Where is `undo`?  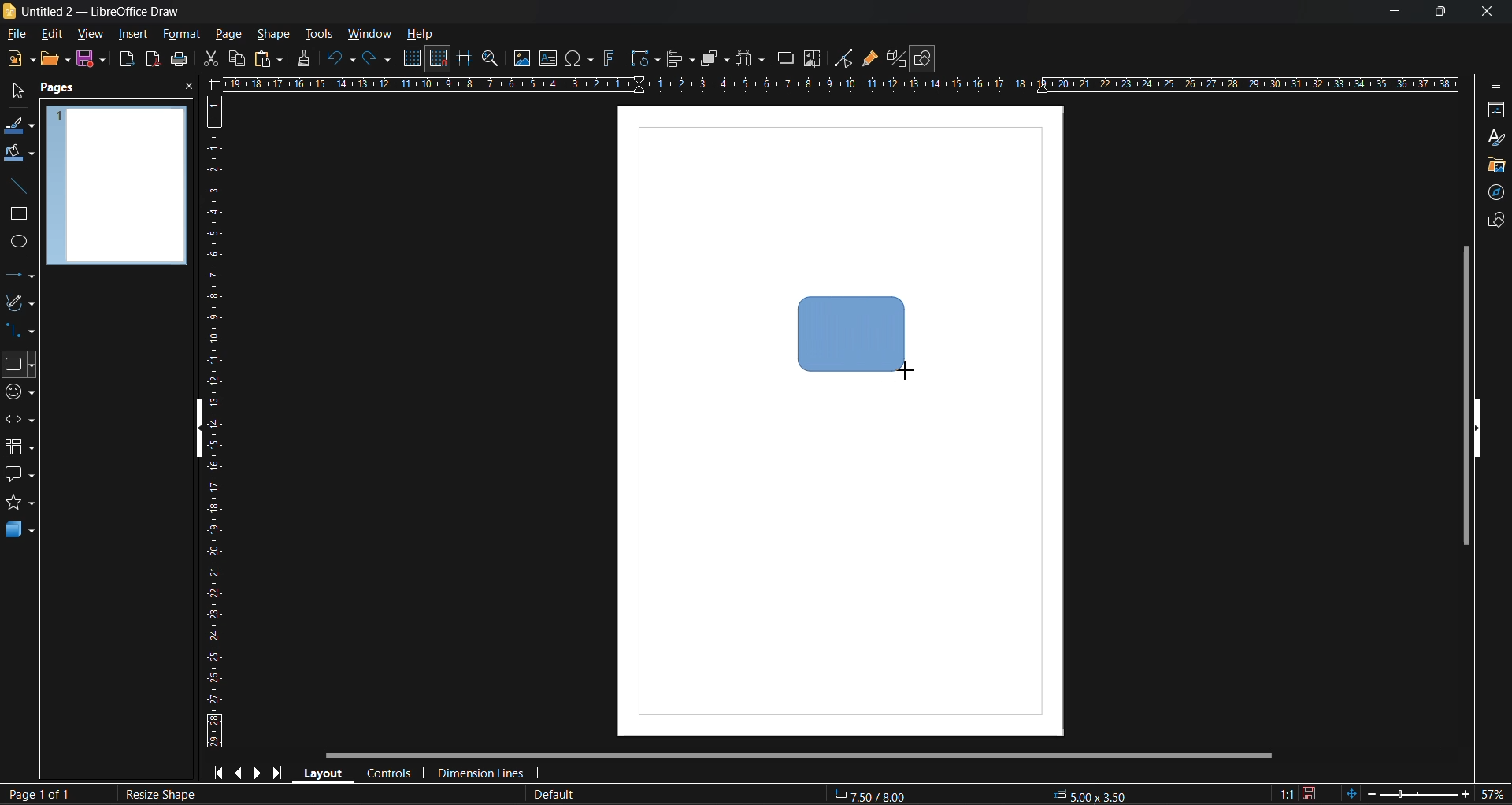
undo is located at coordinates (342, 60).